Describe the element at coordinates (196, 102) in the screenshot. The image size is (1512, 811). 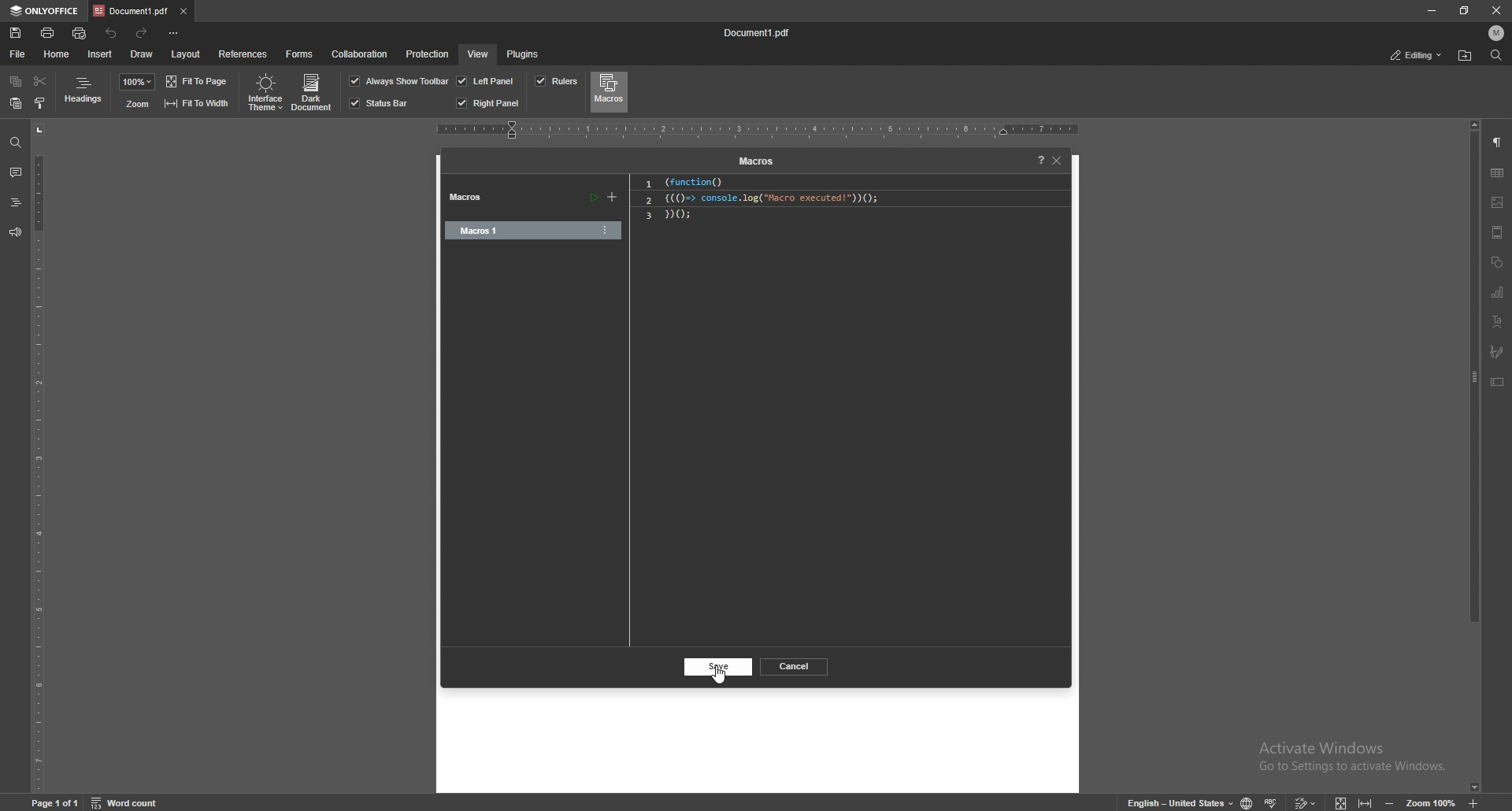
I see `fit to width` at that location.